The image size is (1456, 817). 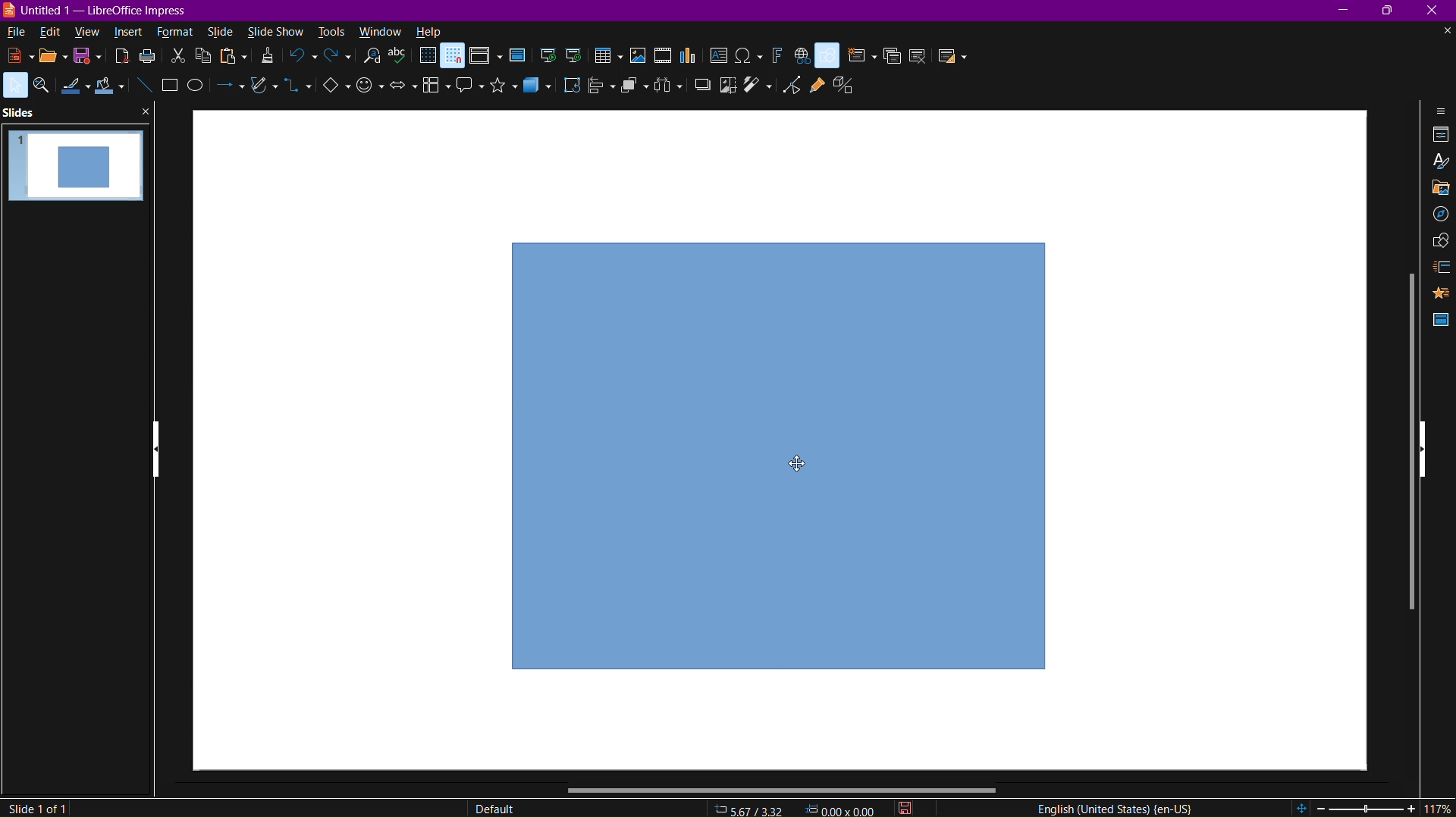 What do you see at coordinates (662, 57) in the screenshot?
I see `Insert Media or Audio` at bounding box center [662, 57].